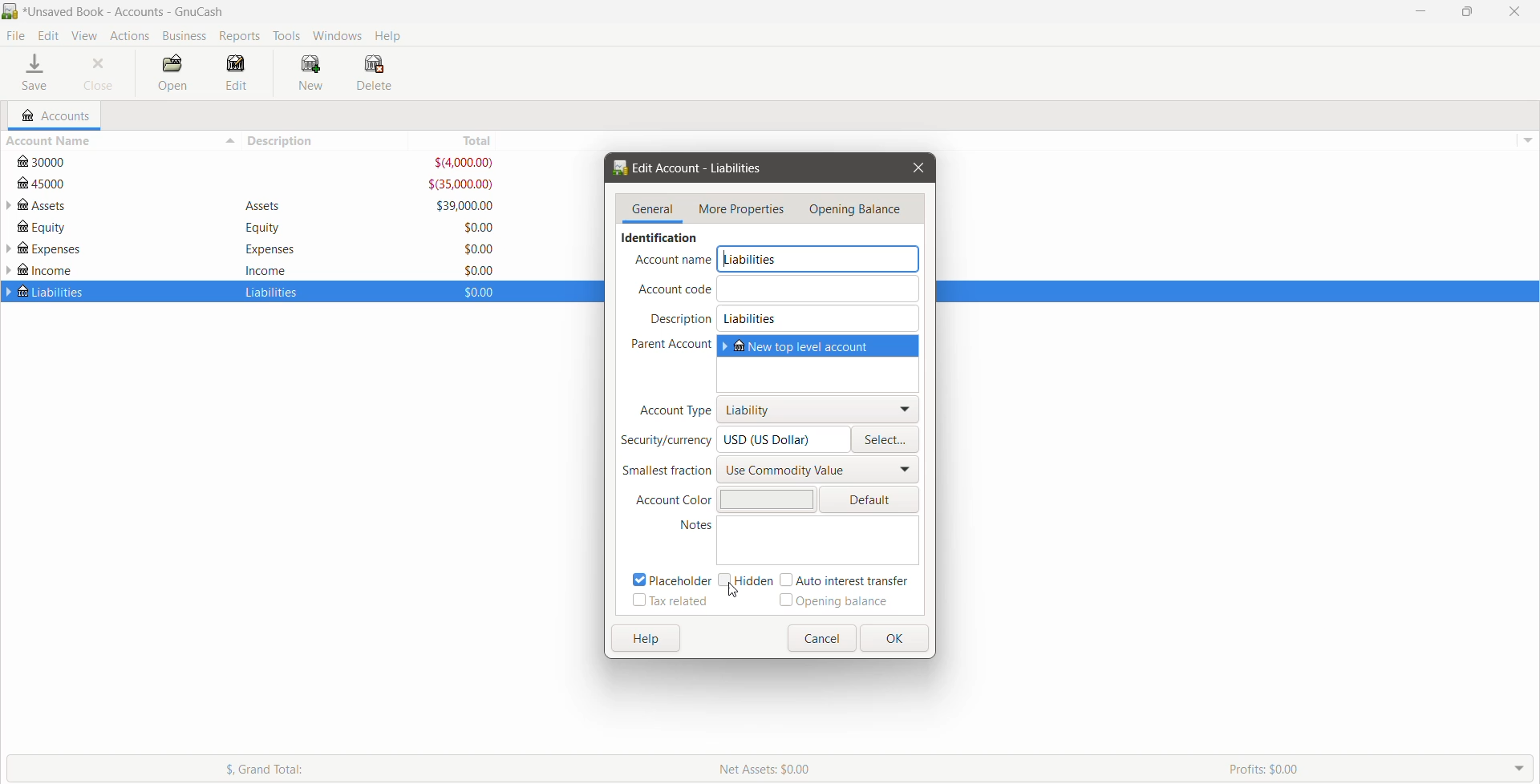 This screenshot has width=1540, height=784. What do you see at coordinates (314, 74) in the screenshot?
I see `New` at bounding box center [314, 74].